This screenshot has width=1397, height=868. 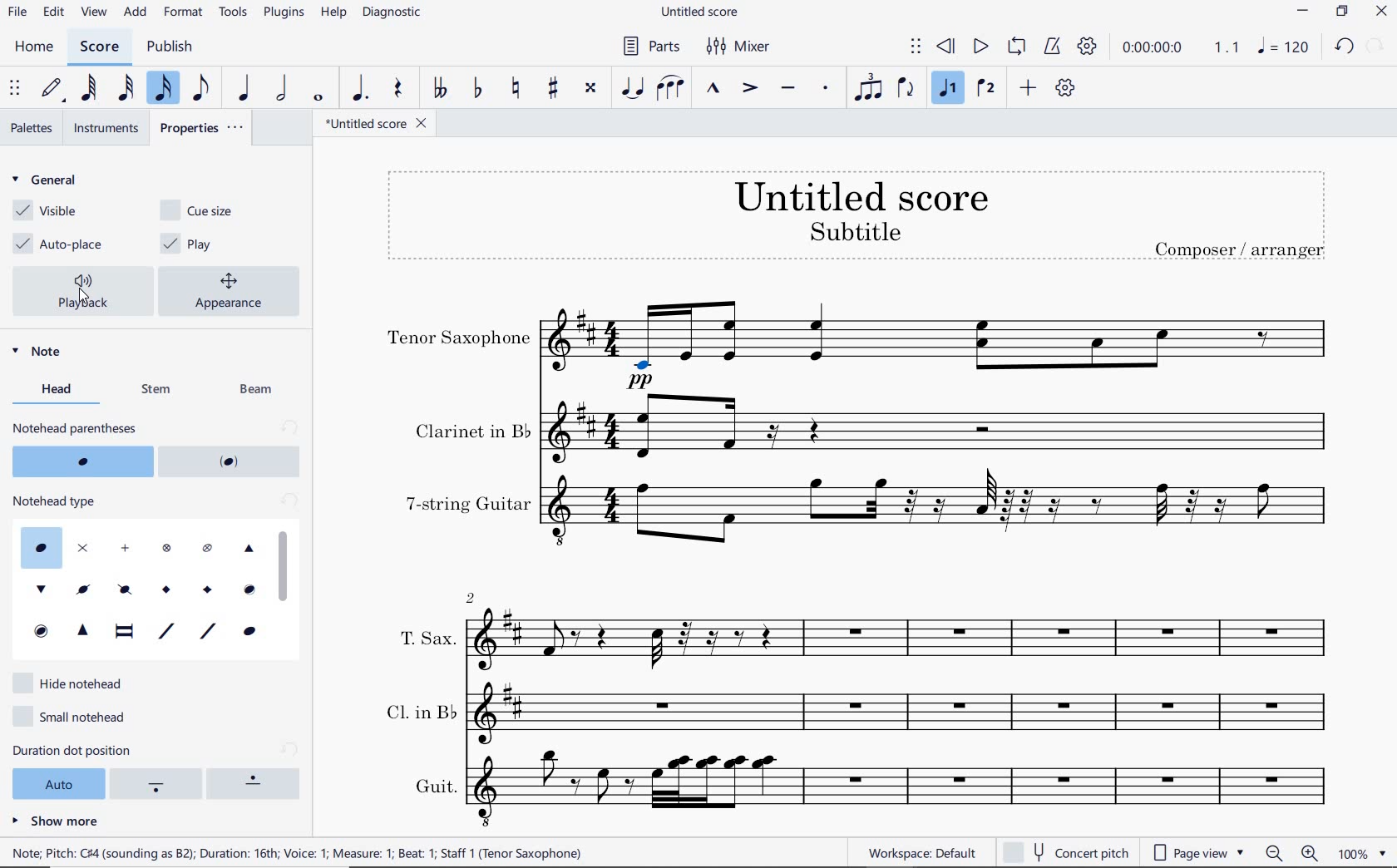 I want to click on clarinet in b, so click(x=941, y=428).